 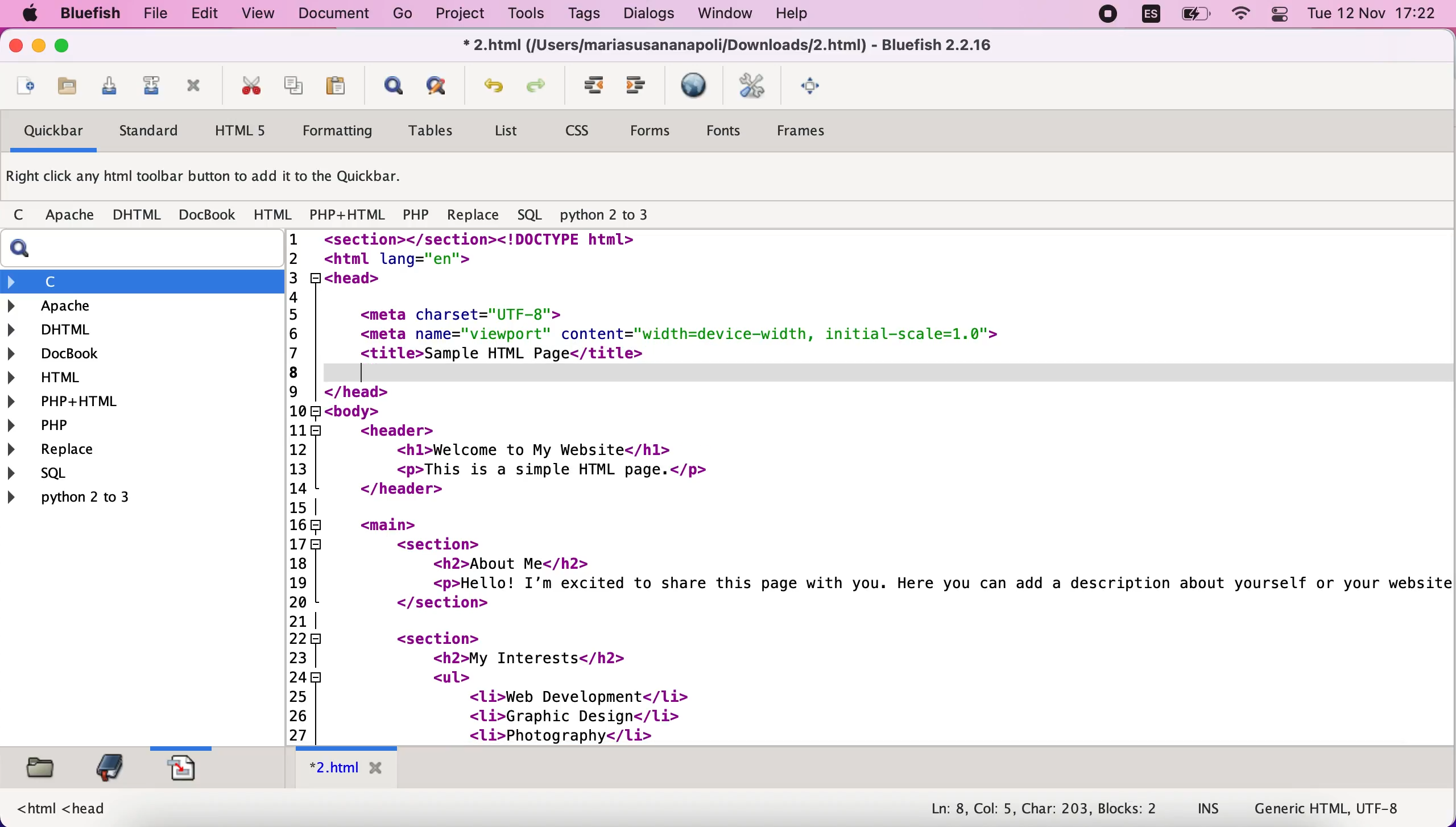 What do you see at coordinates (98, 450) in the screenshot?
I see `replace` at bounding box center [98, 450].